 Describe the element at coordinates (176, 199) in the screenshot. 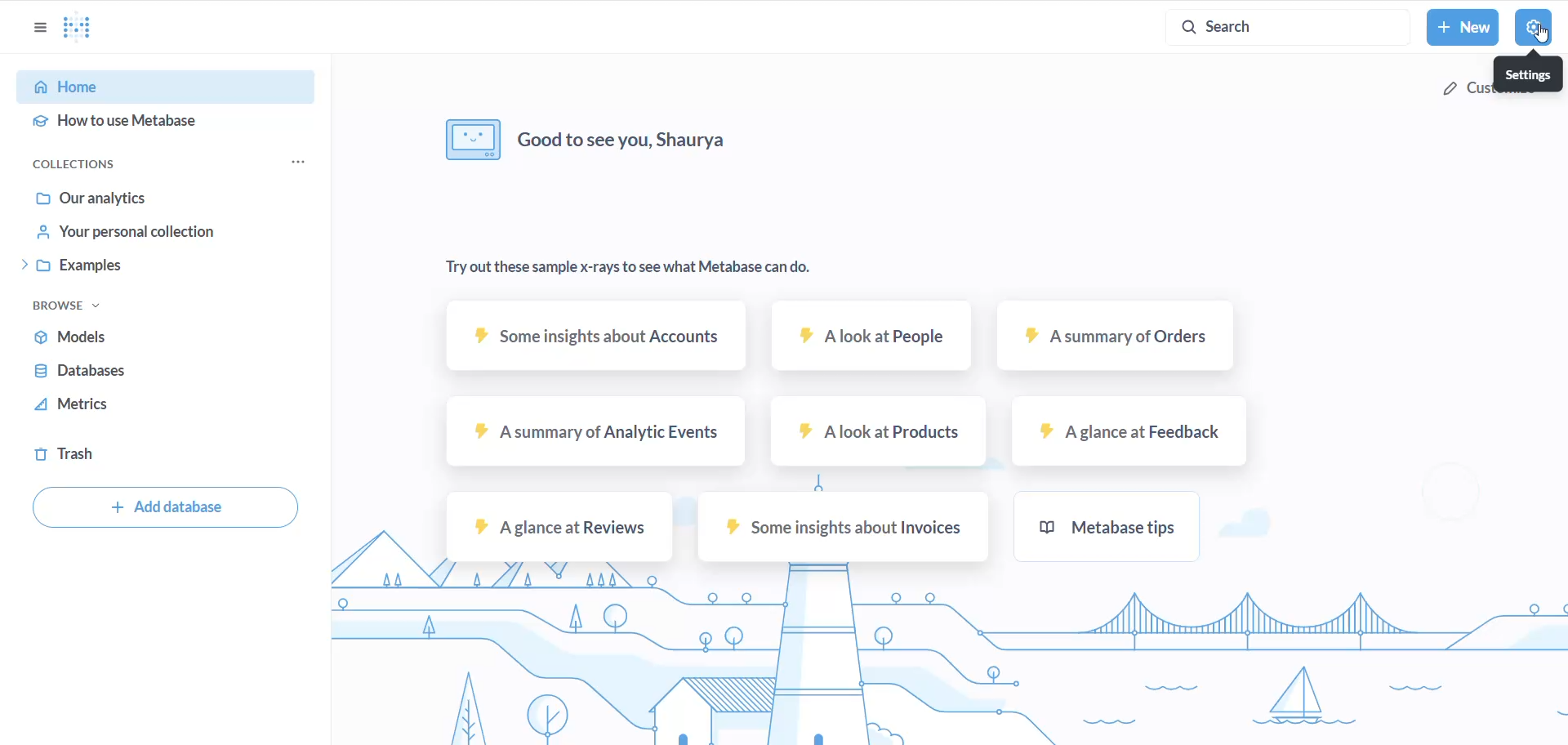

I see `OUR ANALYTICS` at that location.